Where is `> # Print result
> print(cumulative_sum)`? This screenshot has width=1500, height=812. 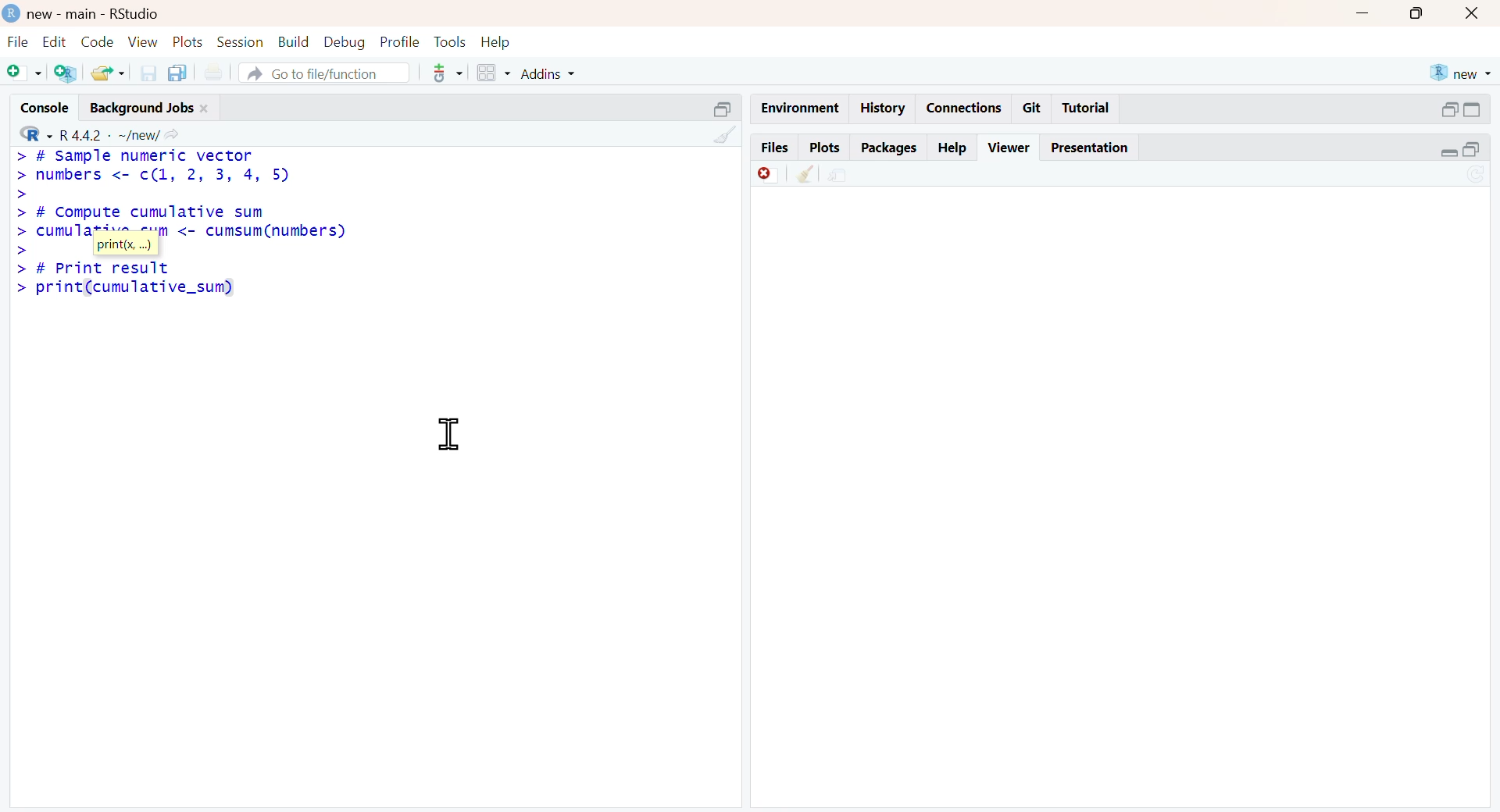 > # Print result
> print(cumulative_sum) is located at coordinates (128, 280).